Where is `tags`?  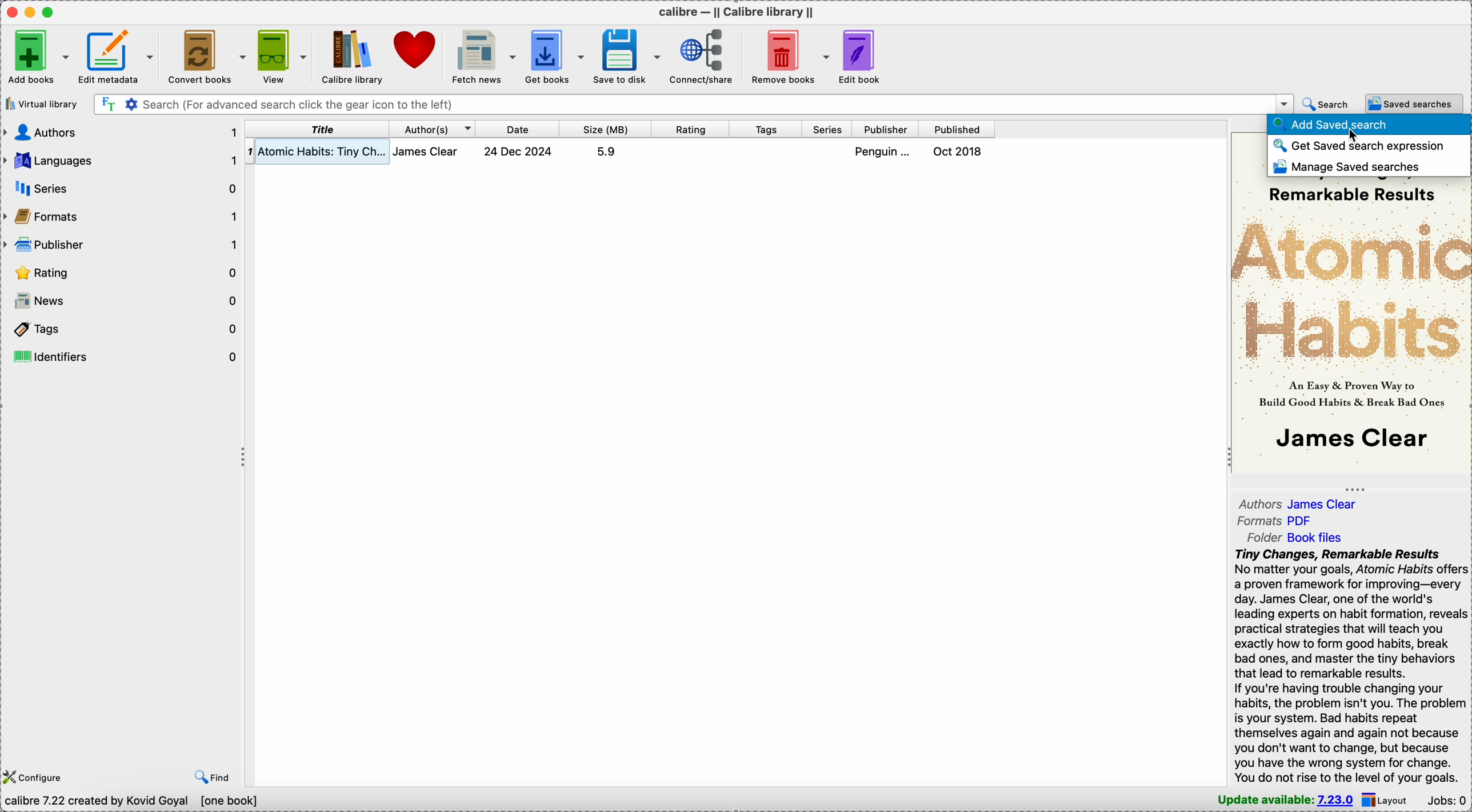 tags is located at coordinates (767, 130).